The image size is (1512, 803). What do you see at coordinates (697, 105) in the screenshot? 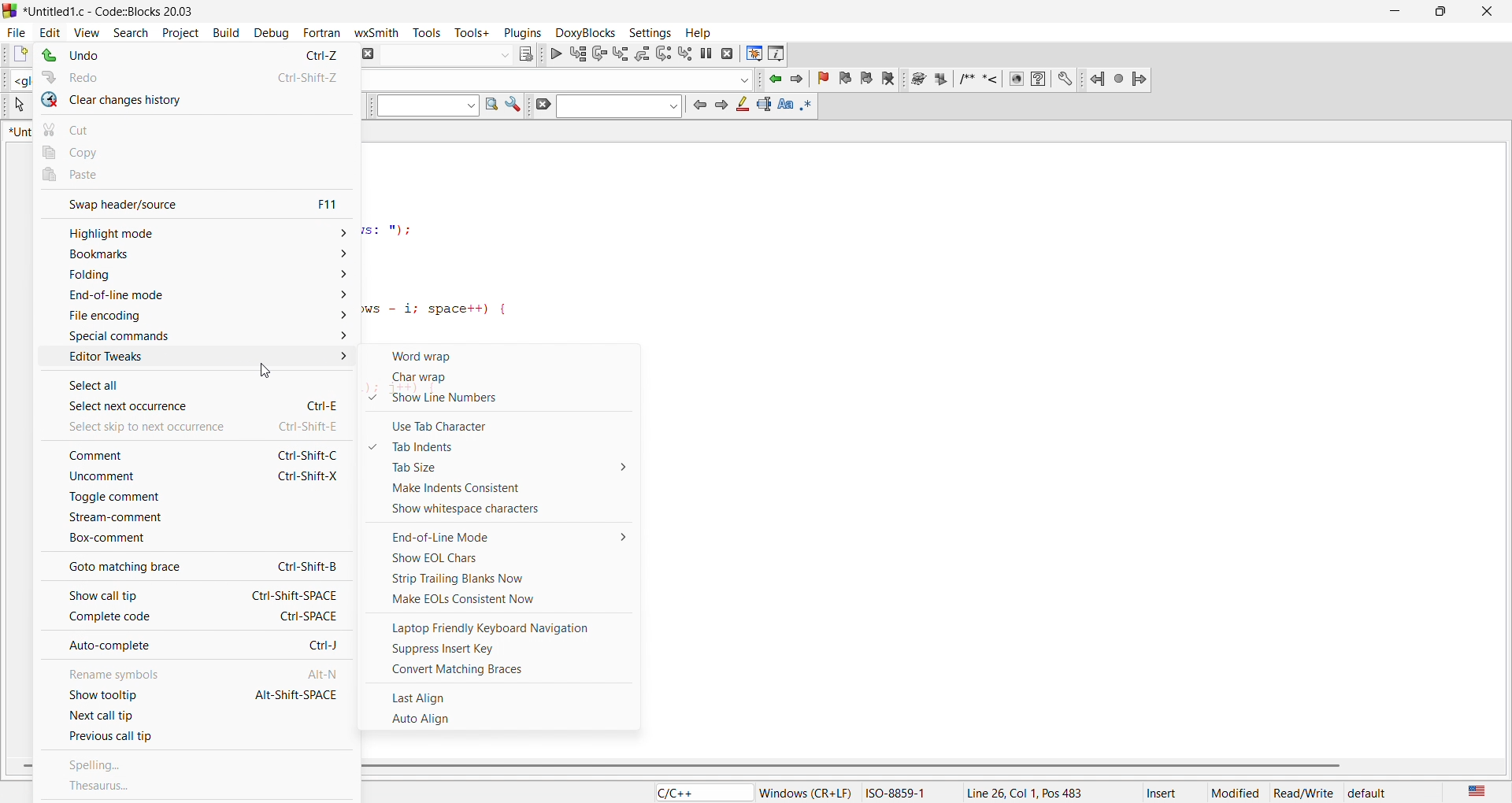
I see `icon` at bounding box center [697, 105].